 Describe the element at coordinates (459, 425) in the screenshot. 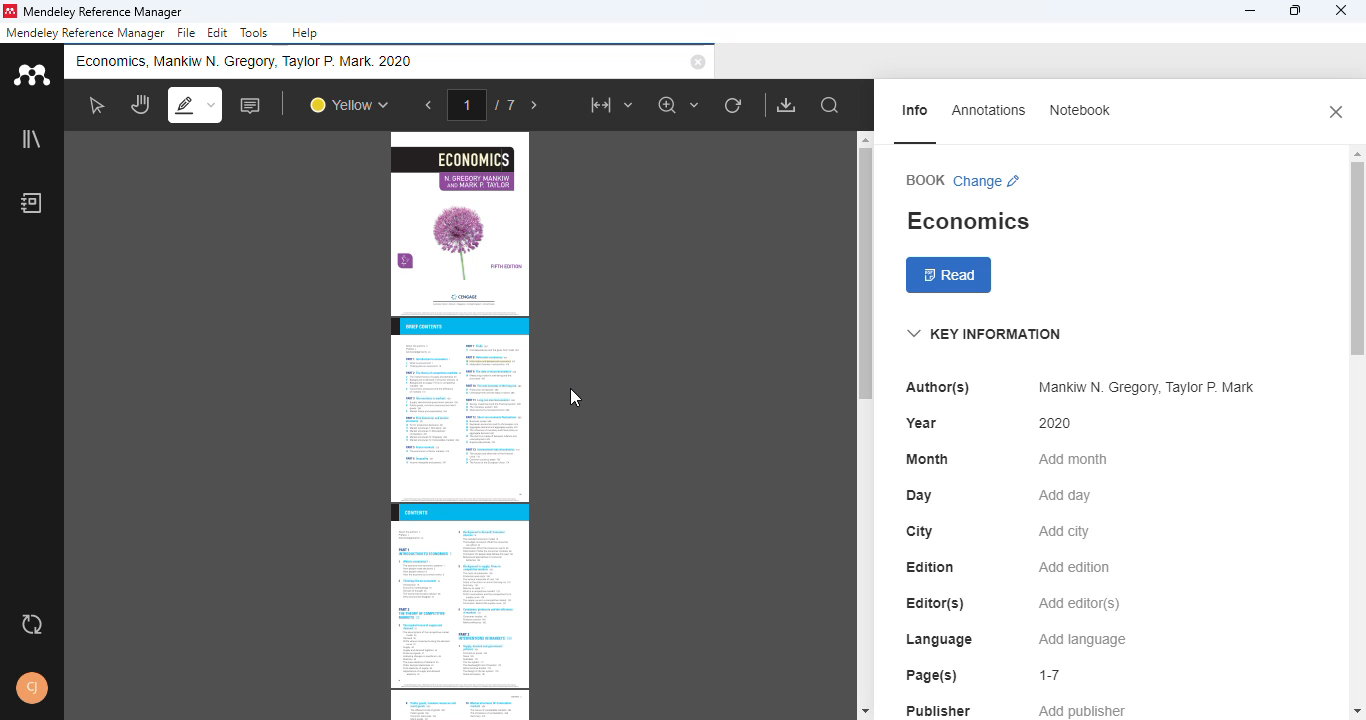

I see `PDF downloaded for offline use` at that location.